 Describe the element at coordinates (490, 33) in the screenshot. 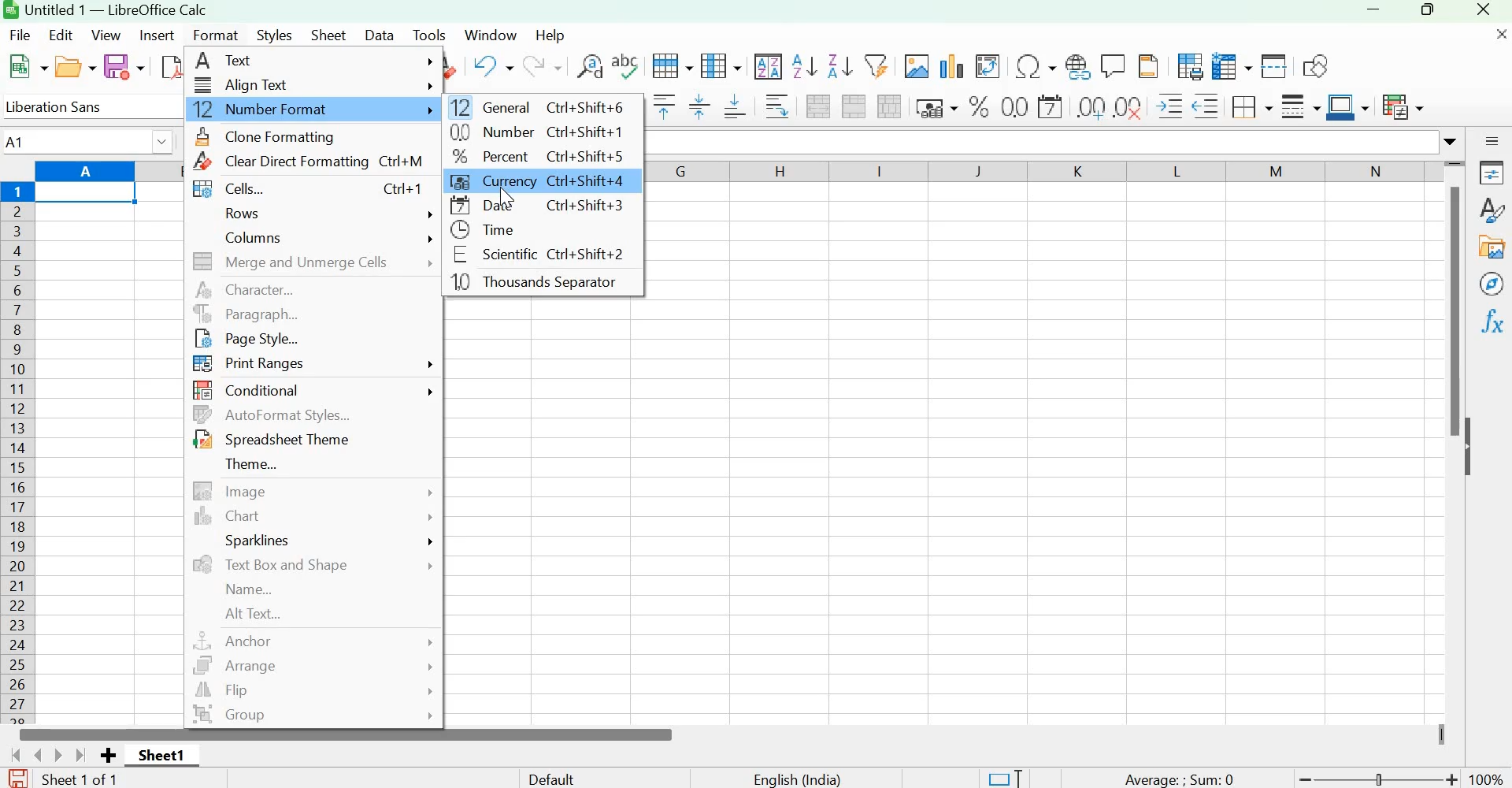

I see `Window` at that location.